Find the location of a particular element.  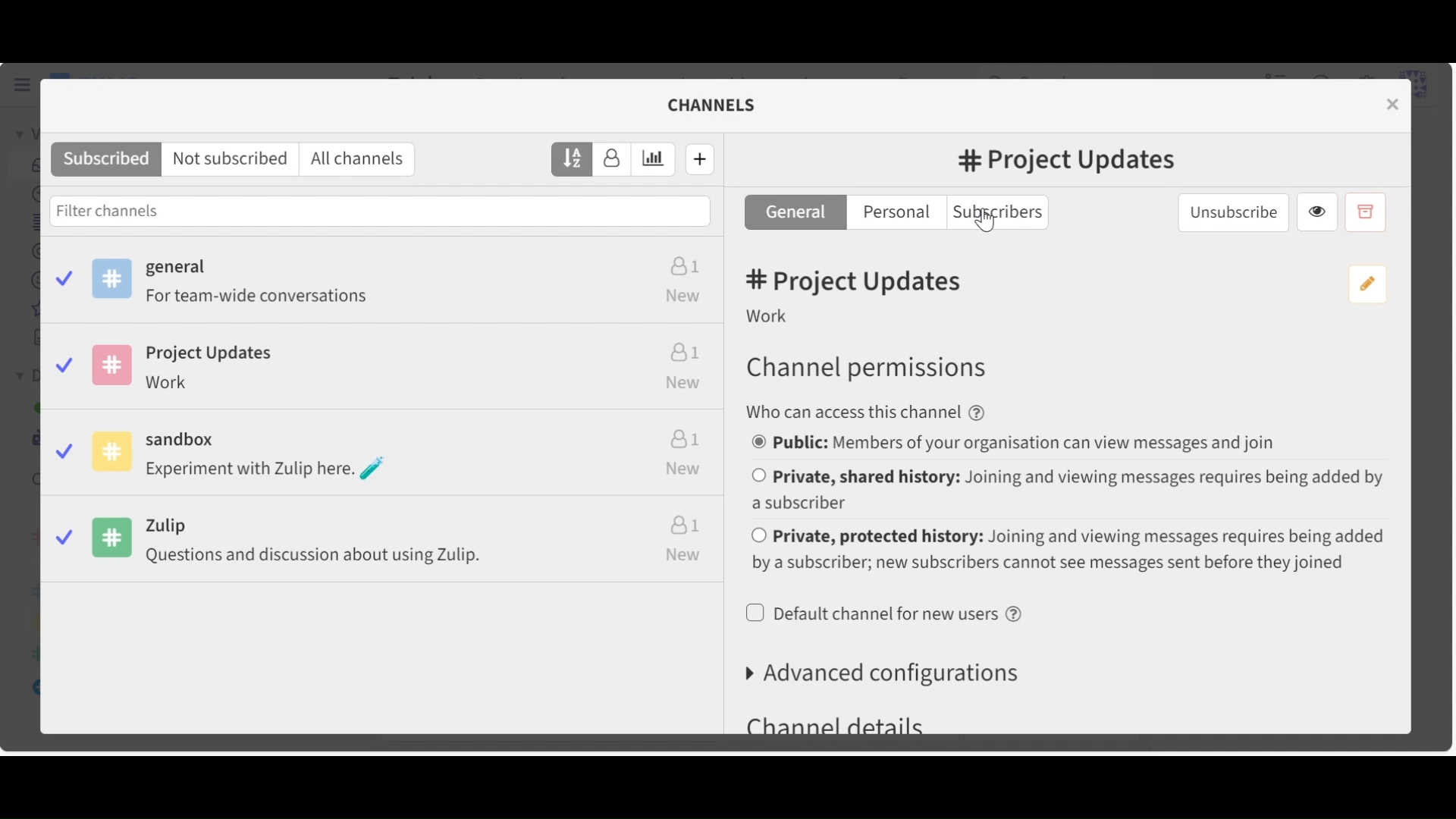

close is located at coordinates (1392, 104).